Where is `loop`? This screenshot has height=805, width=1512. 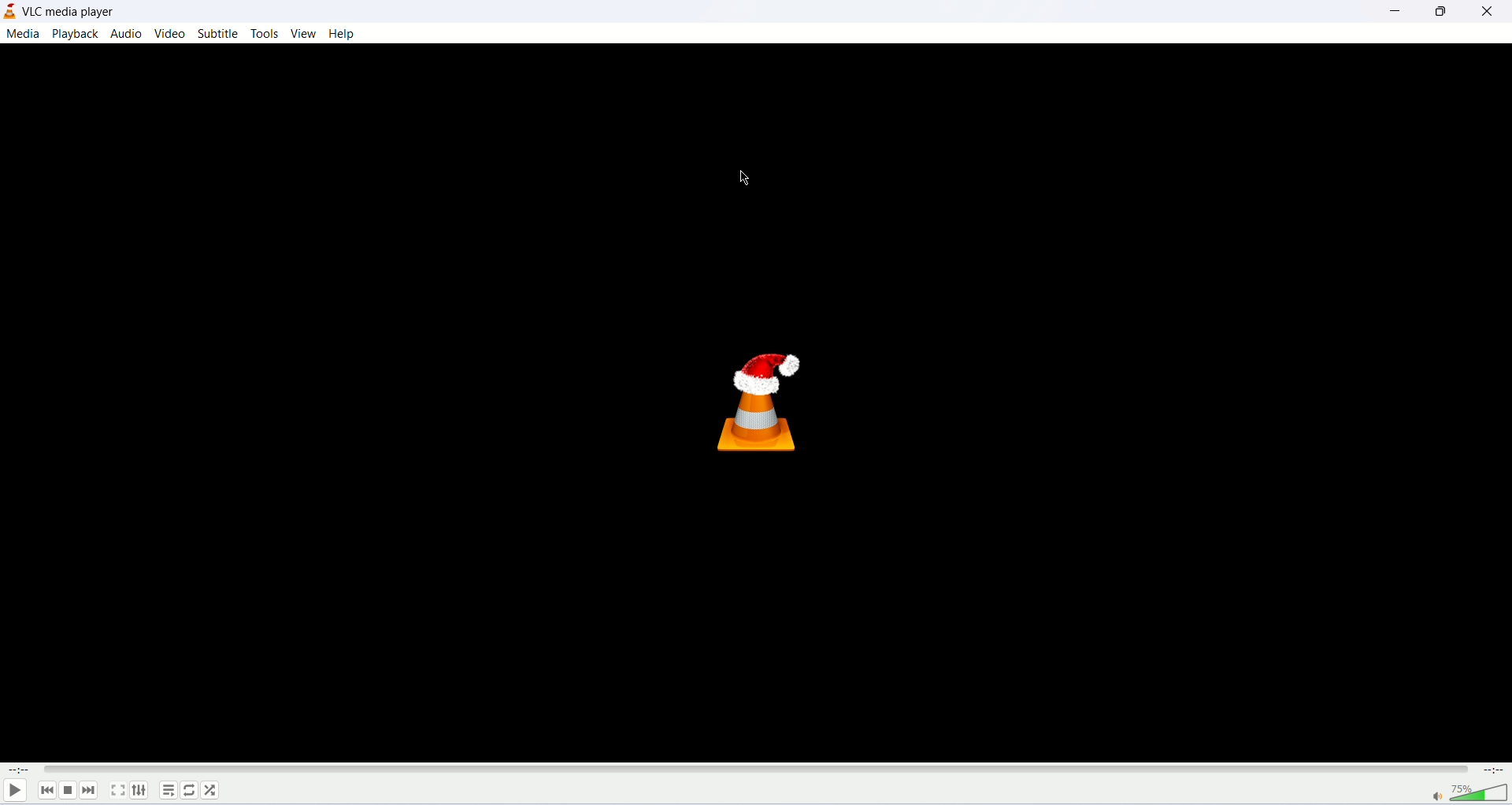 loop is located at coordinates (188, 790).